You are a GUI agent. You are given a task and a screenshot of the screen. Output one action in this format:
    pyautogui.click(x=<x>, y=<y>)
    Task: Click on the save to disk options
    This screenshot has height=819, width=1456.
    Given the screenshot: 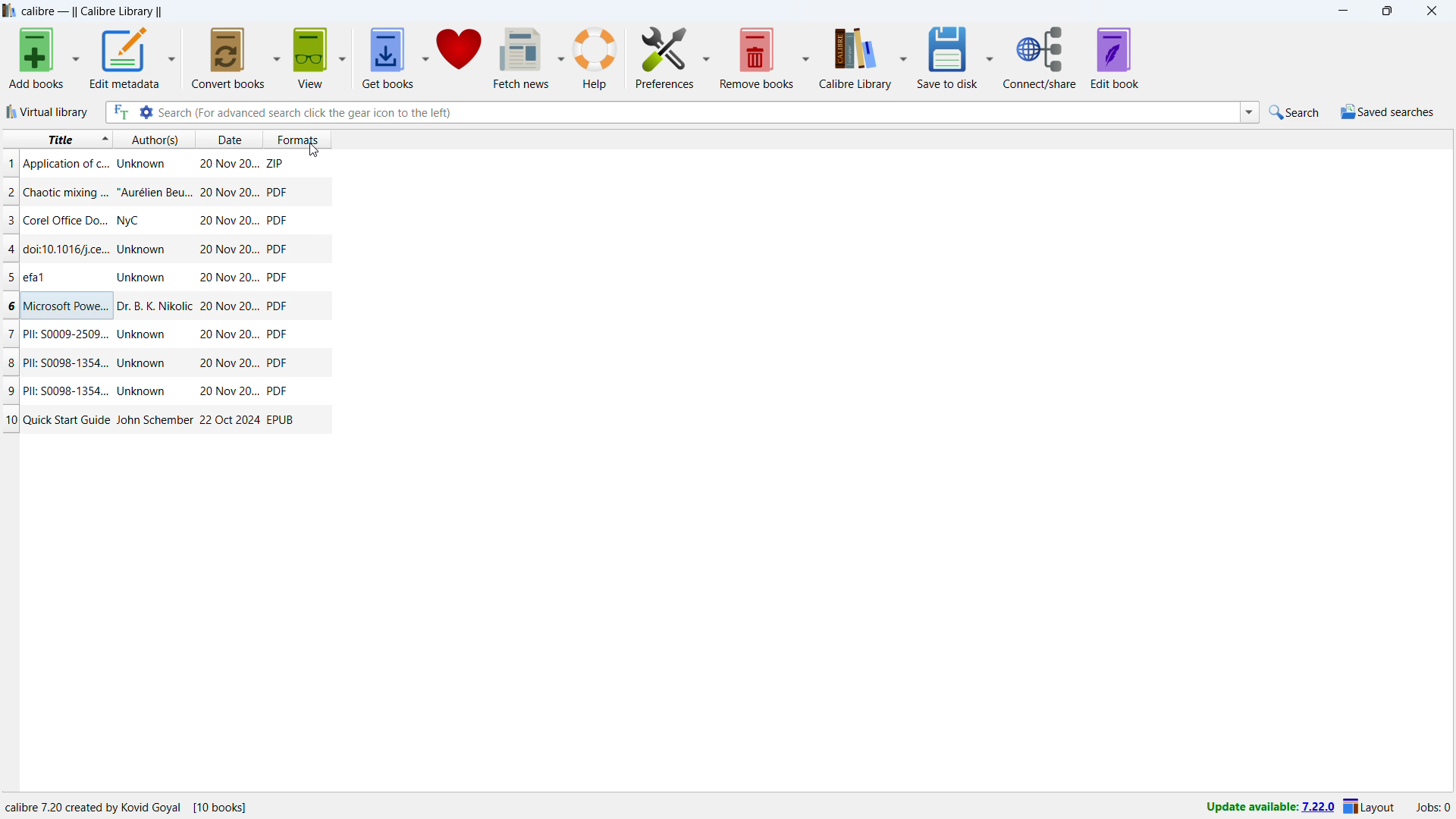 What is the action you would take?
    pyautogui.click(x=807, y=57)
    